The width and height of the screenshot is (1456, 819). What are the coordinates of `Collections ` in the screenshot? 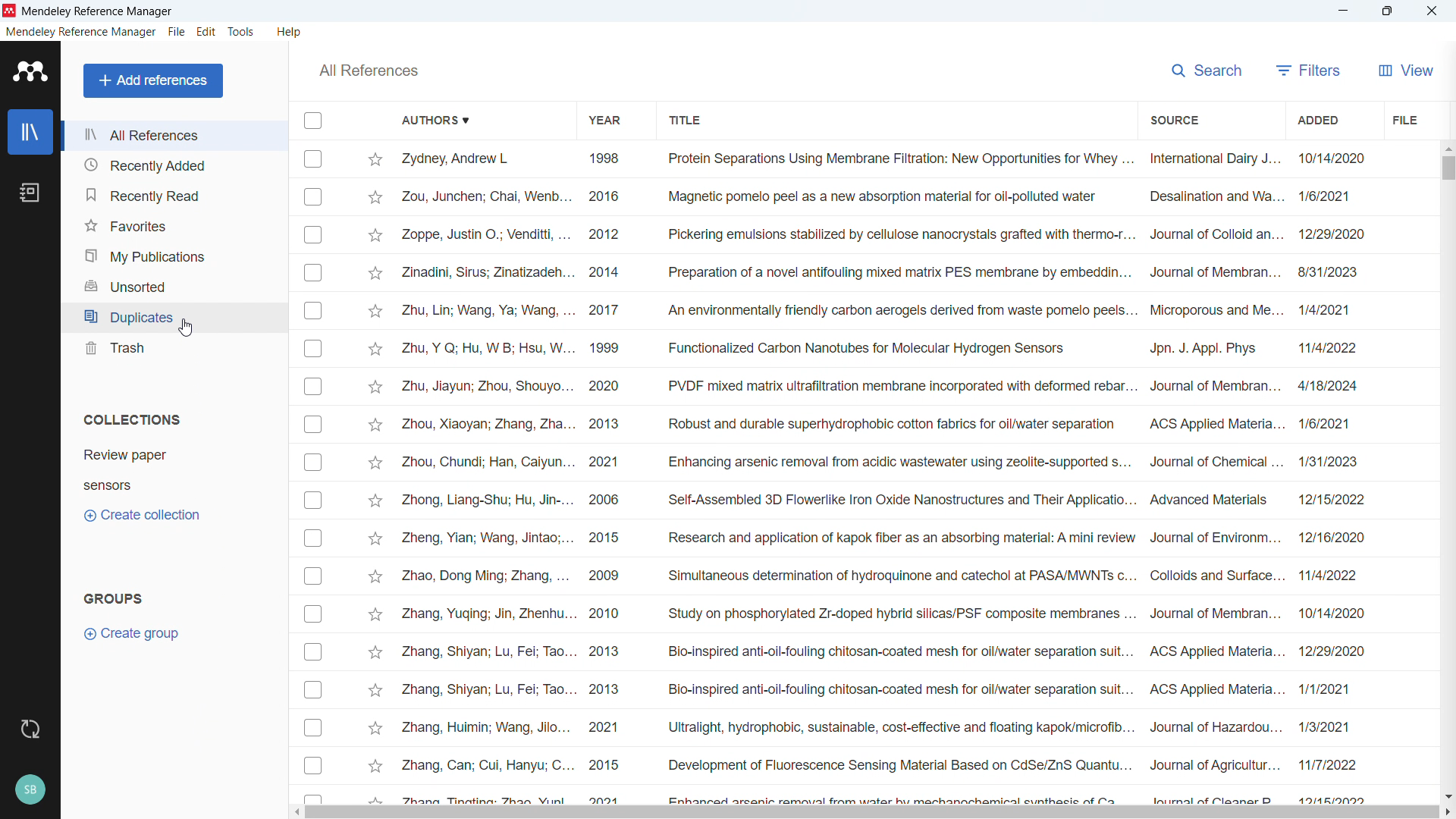 It's located at (130, 420).